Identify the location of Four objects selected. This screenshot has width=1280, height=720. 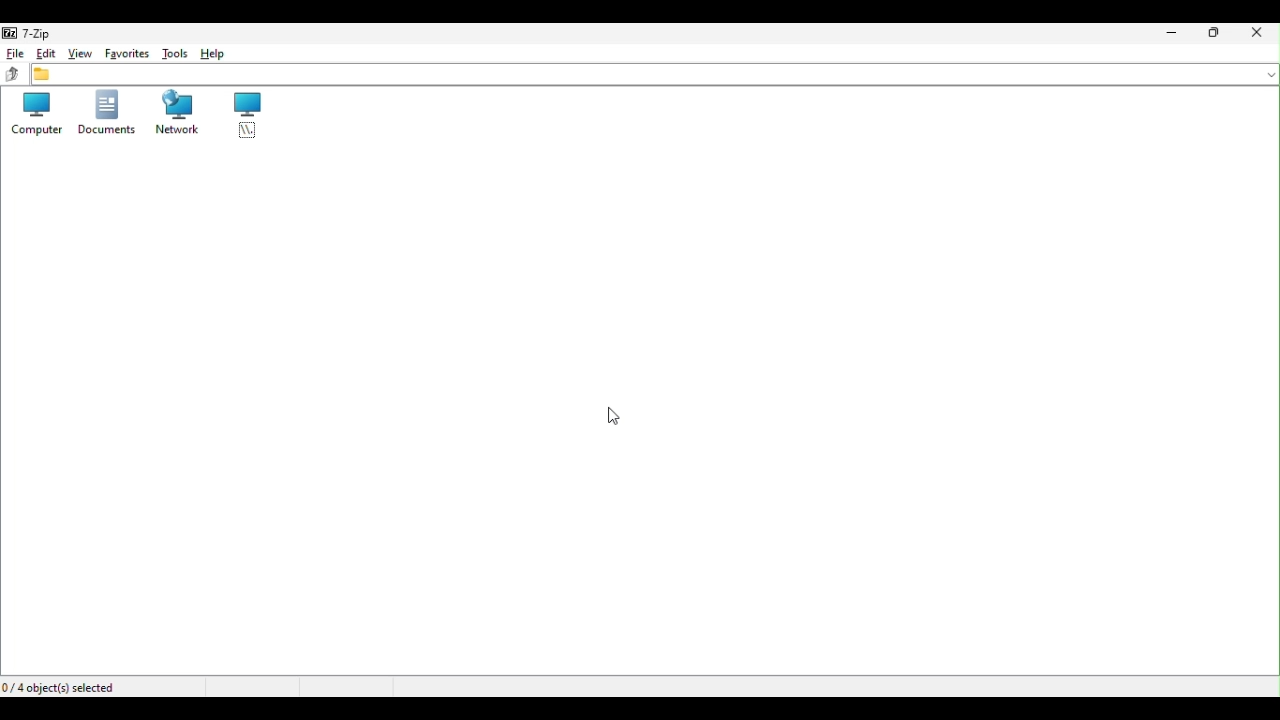
(63, 686).